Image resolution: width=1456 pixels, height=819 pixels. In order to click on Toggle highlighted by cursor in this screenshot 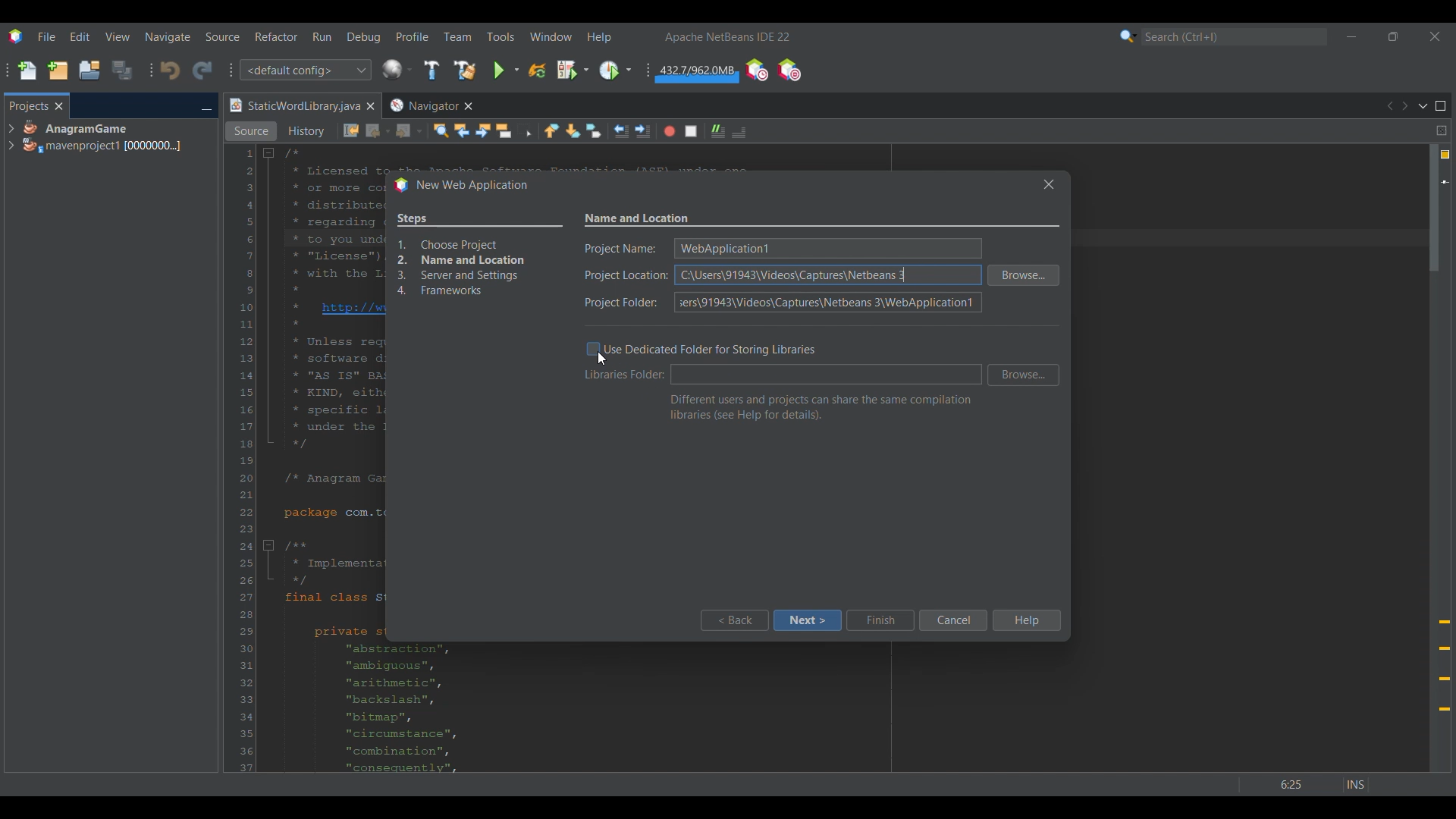, I will do `click(599, 356)`.